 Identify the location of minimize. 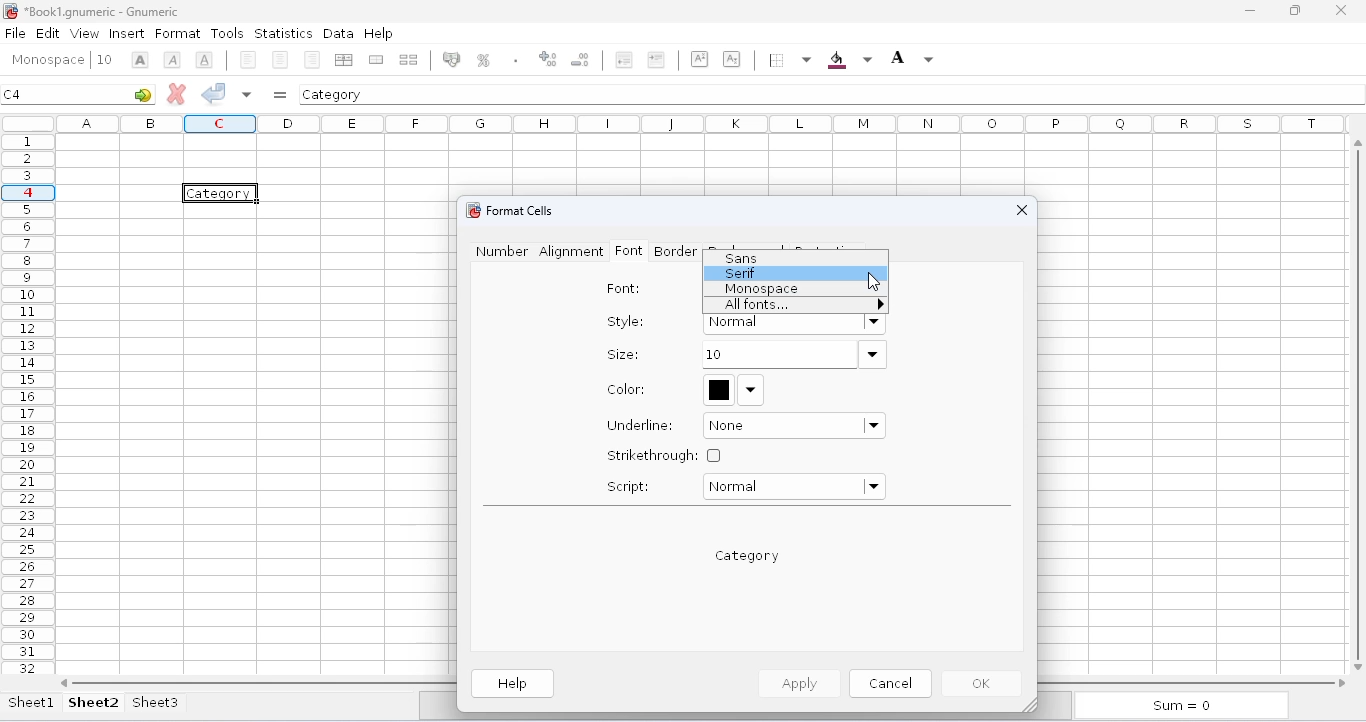
(1250, 11).